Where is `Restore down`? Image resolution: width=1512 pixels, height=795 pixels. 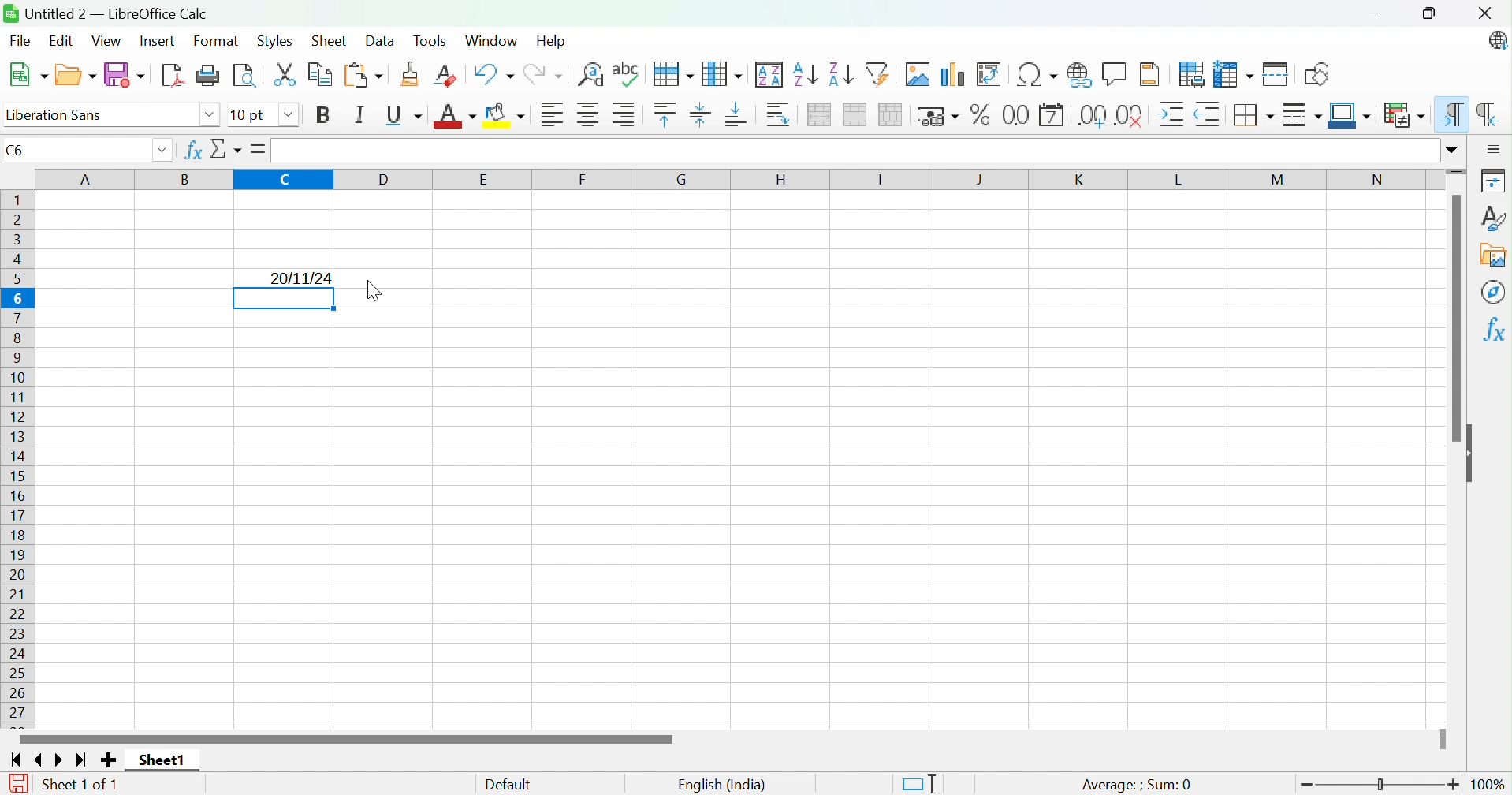 Restore down is located at coordinates (1430, 15).